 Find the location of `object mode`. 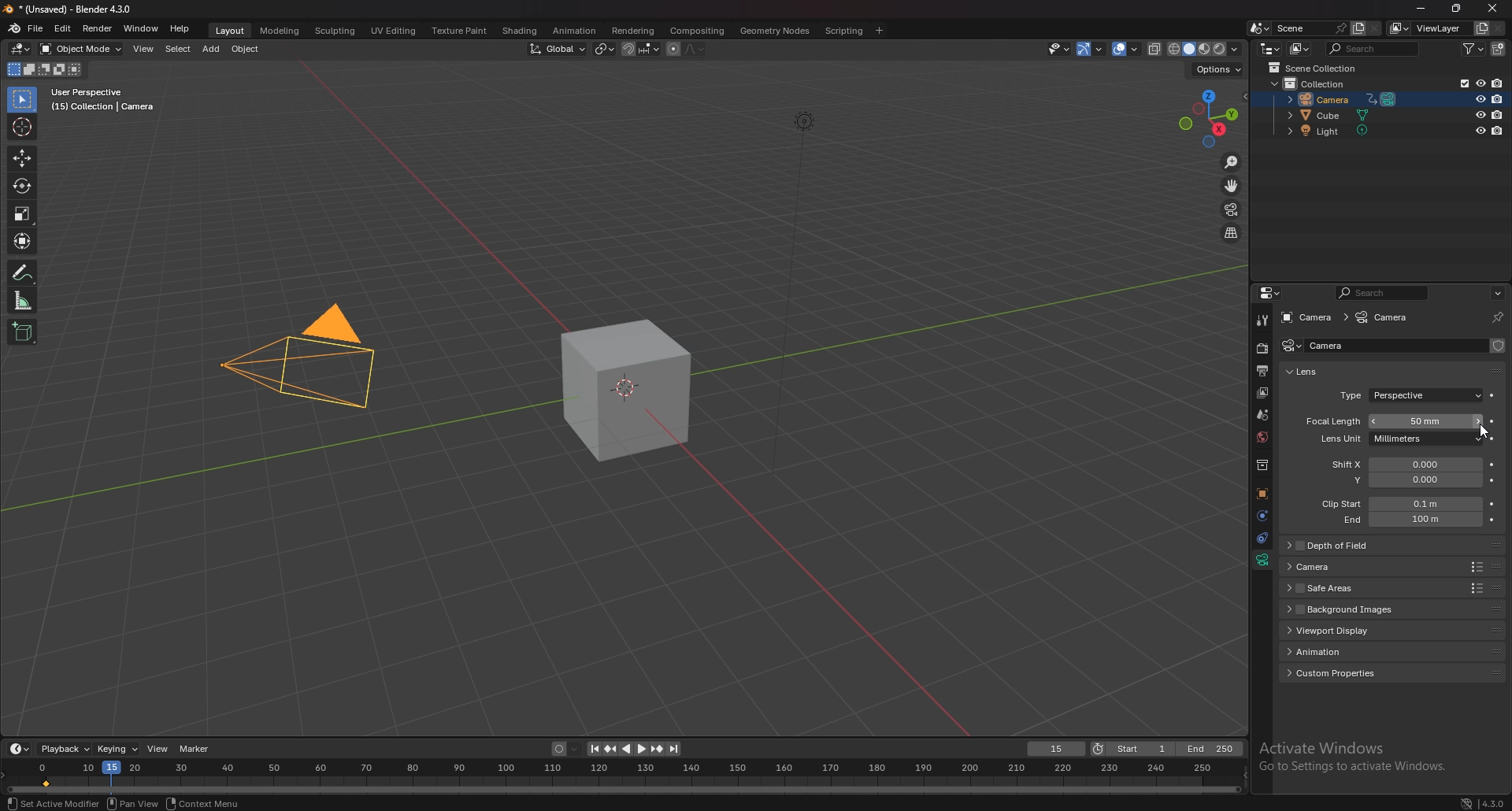

object mode is located at coordinates (80, 49).